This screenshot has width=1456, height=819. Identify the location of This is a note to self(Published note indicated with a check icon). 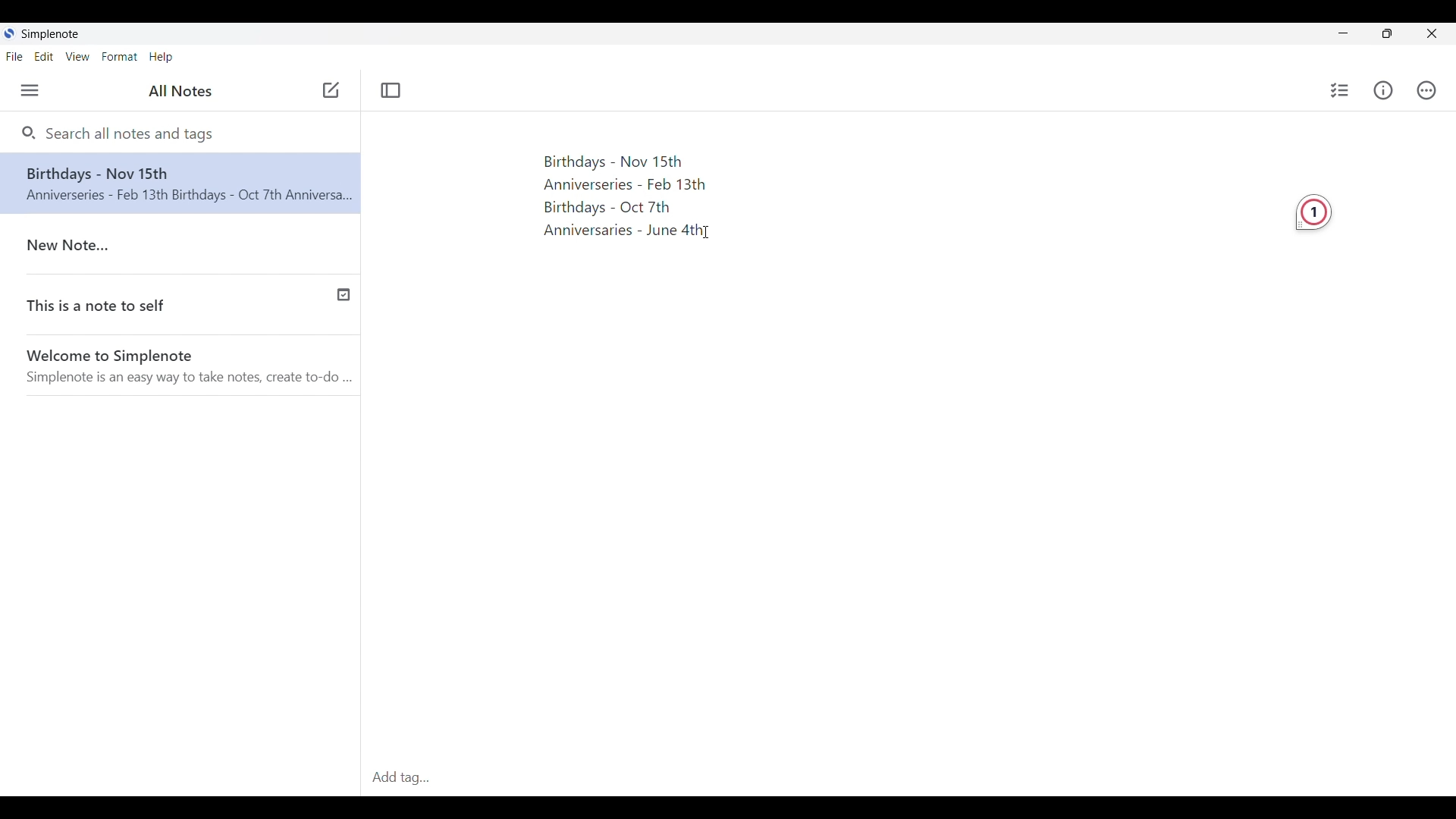
(181, 307).